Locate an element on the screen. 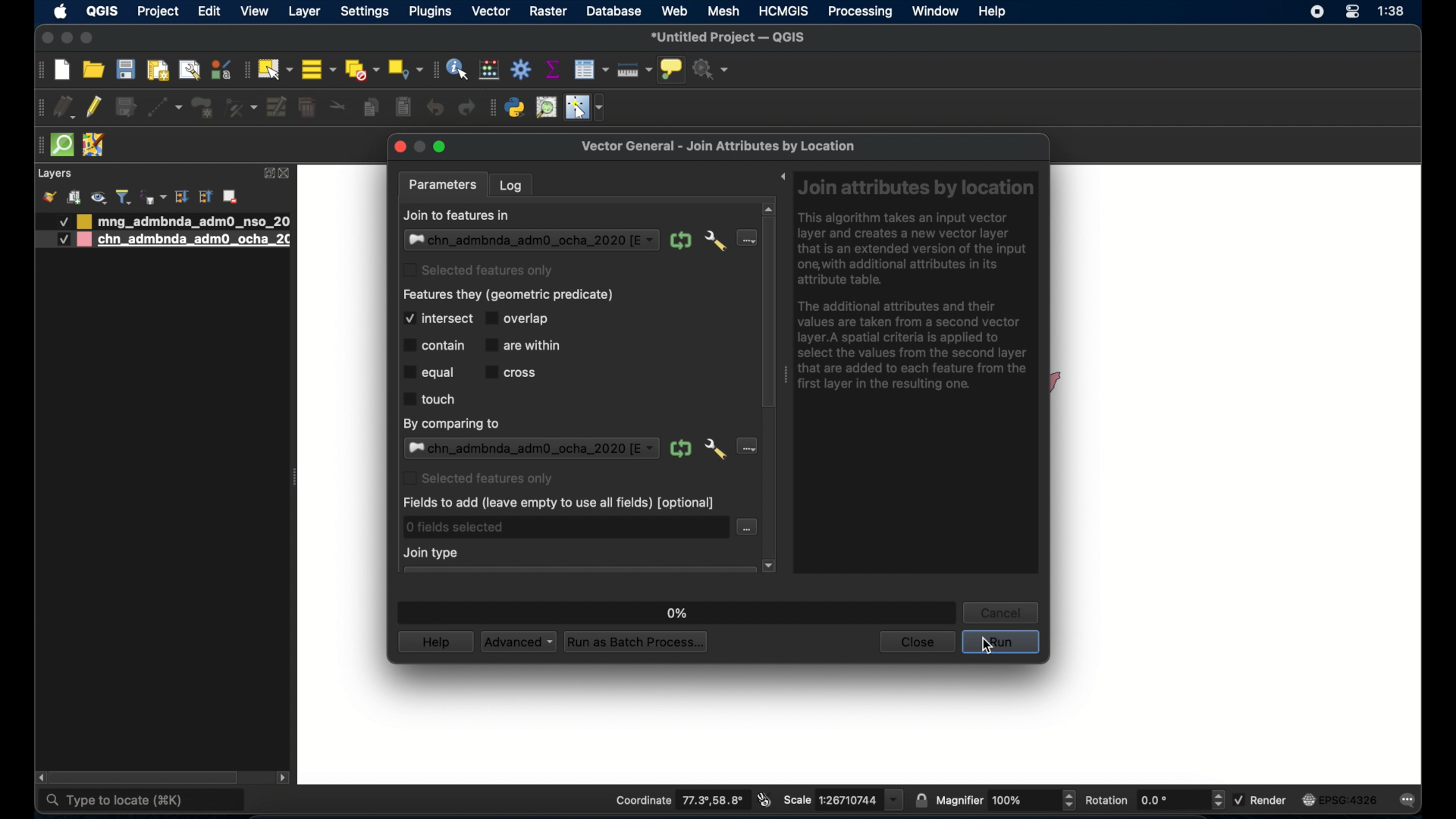 The width and height of the screenshot is (1456, 819). collapse is located at coordinates (205, 197).